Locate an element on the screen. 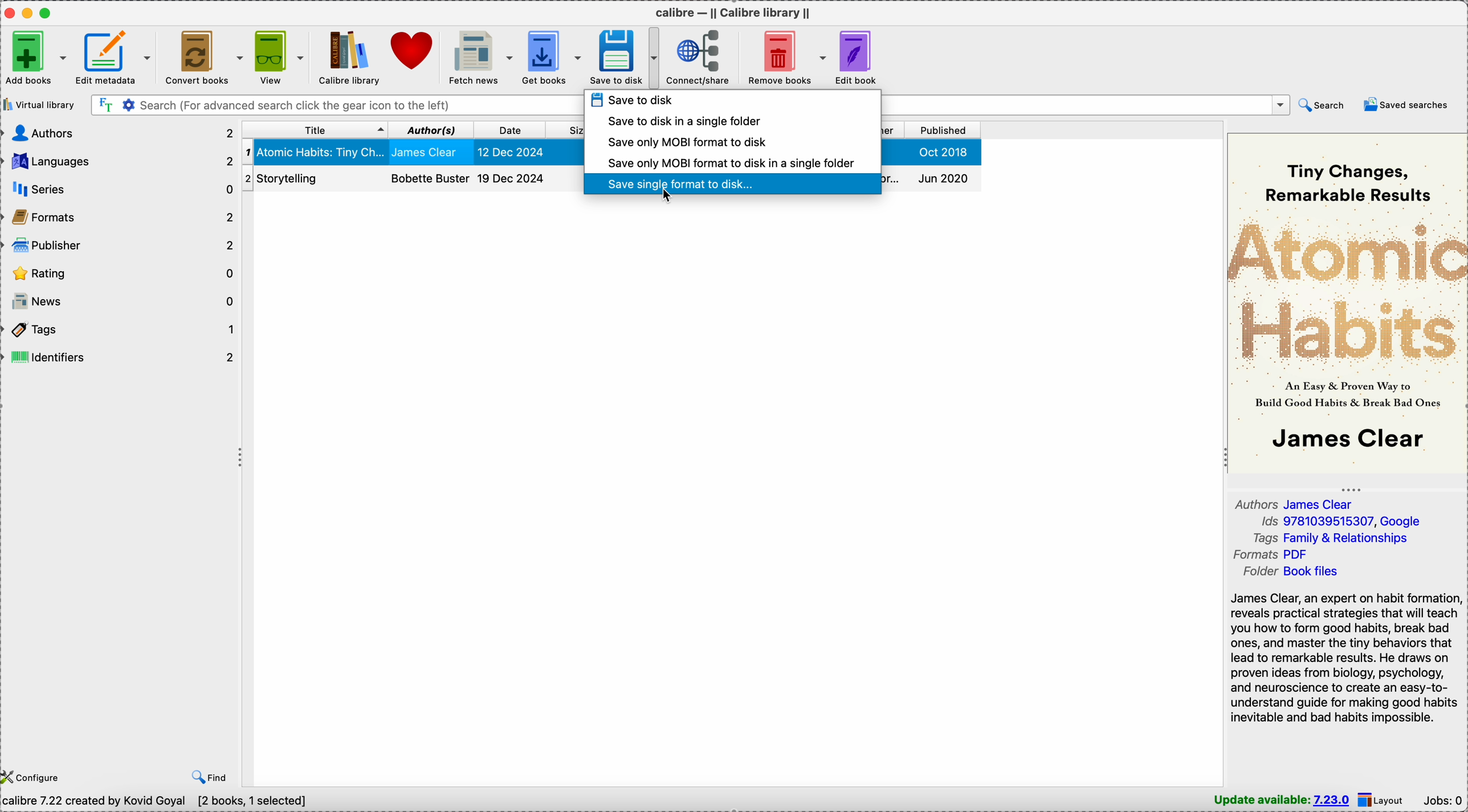  find is located at coordinates (212, 777).